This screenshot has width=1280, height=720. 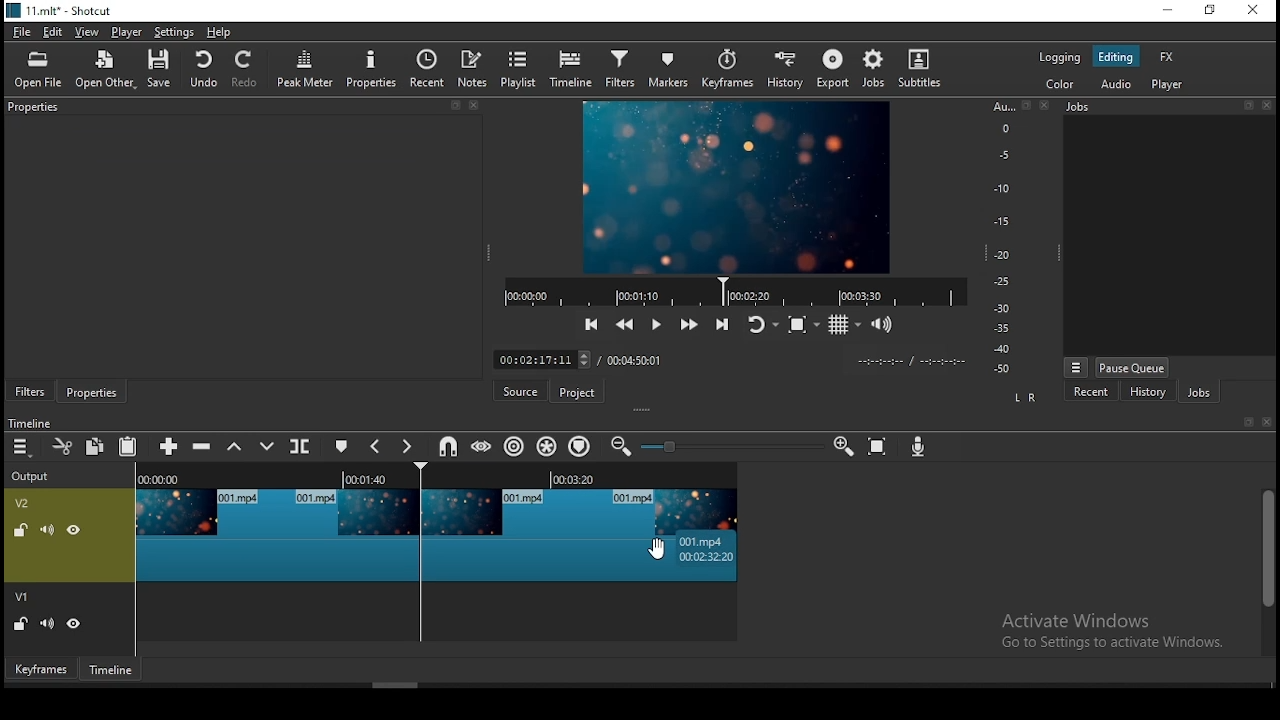 What do you see at coordinates (174, 31) in the screenshot?
I see `settings` at bounding box center [174, 31].